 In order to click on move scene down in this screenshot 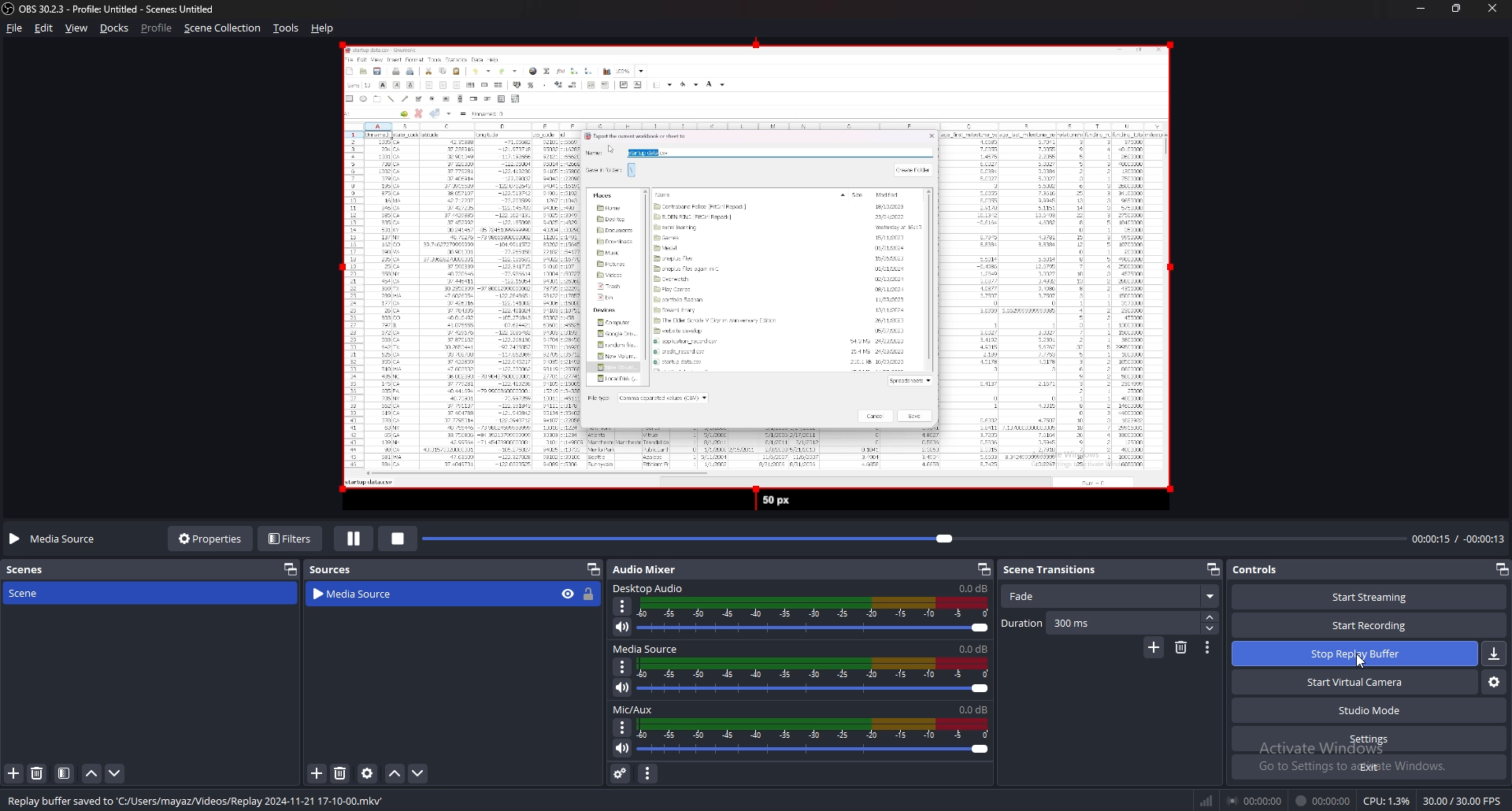, I will do `click(114, 774)`.